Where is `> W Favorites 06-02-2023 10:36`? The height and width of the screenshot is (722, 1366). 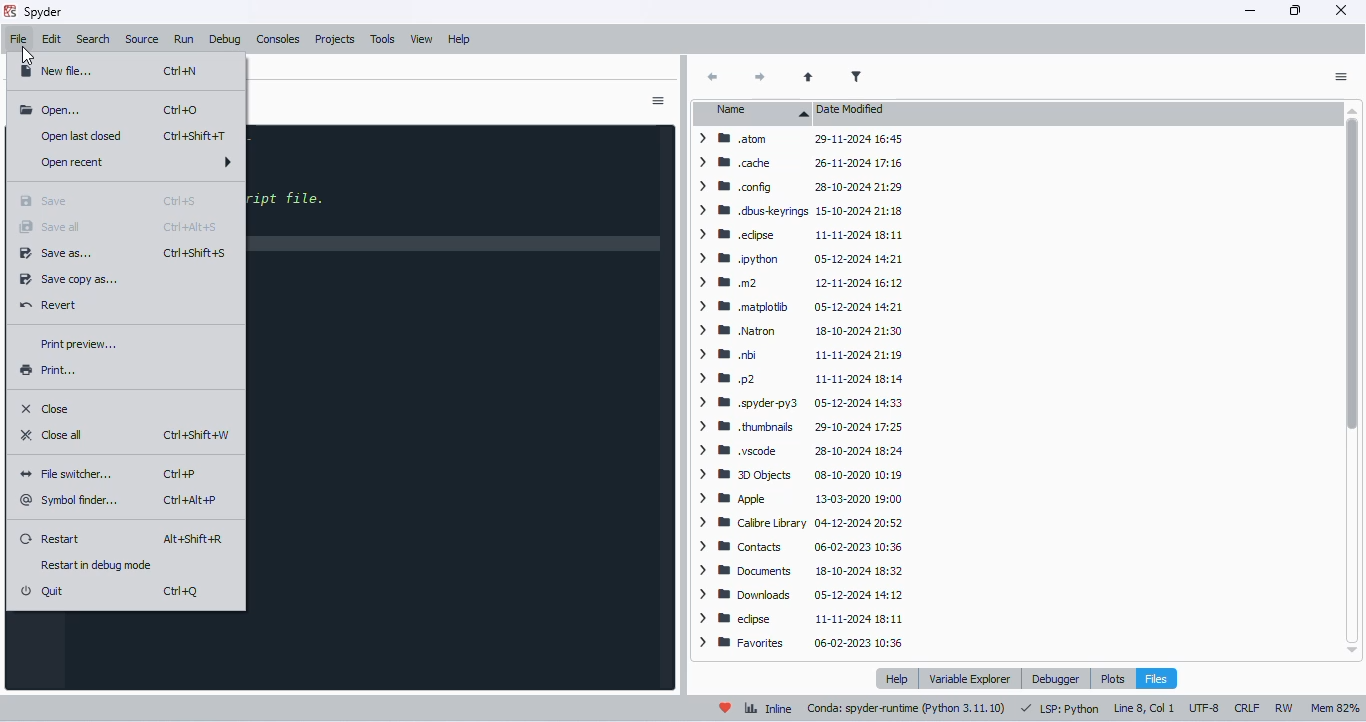 > W Favorites 06-02-2023 10:36 is located at coordinates (801, 644).